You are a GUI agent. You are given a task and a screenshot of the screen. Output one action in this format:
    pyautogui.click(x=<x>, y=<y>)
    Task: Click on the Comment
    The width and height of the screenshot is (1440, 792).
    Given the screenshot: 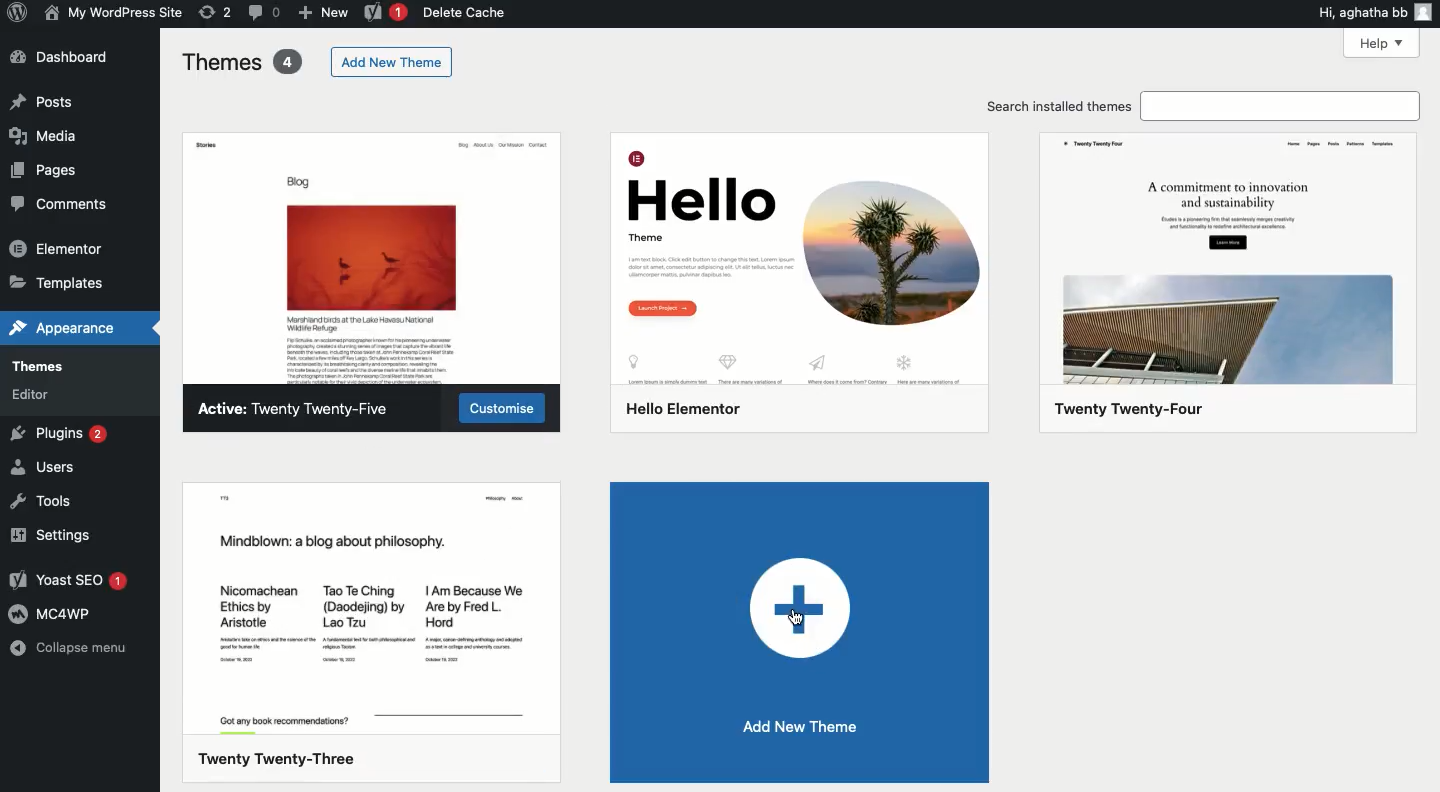 What is the action you would take?
    pyautogui.click(x=60, y=208)
    